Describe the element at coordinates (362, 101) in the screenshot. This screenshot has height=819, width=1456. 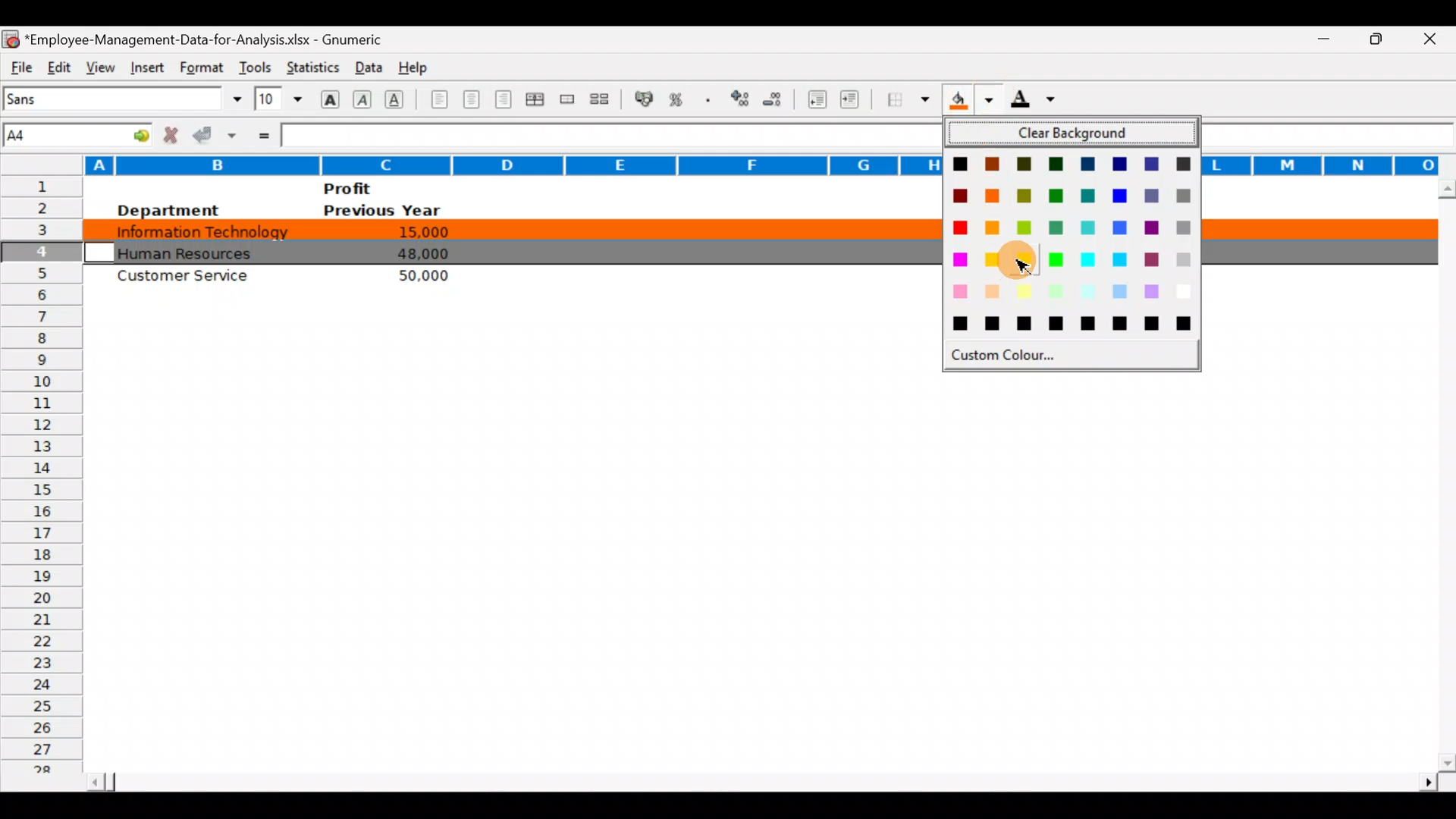
I see `Italic` at that location.